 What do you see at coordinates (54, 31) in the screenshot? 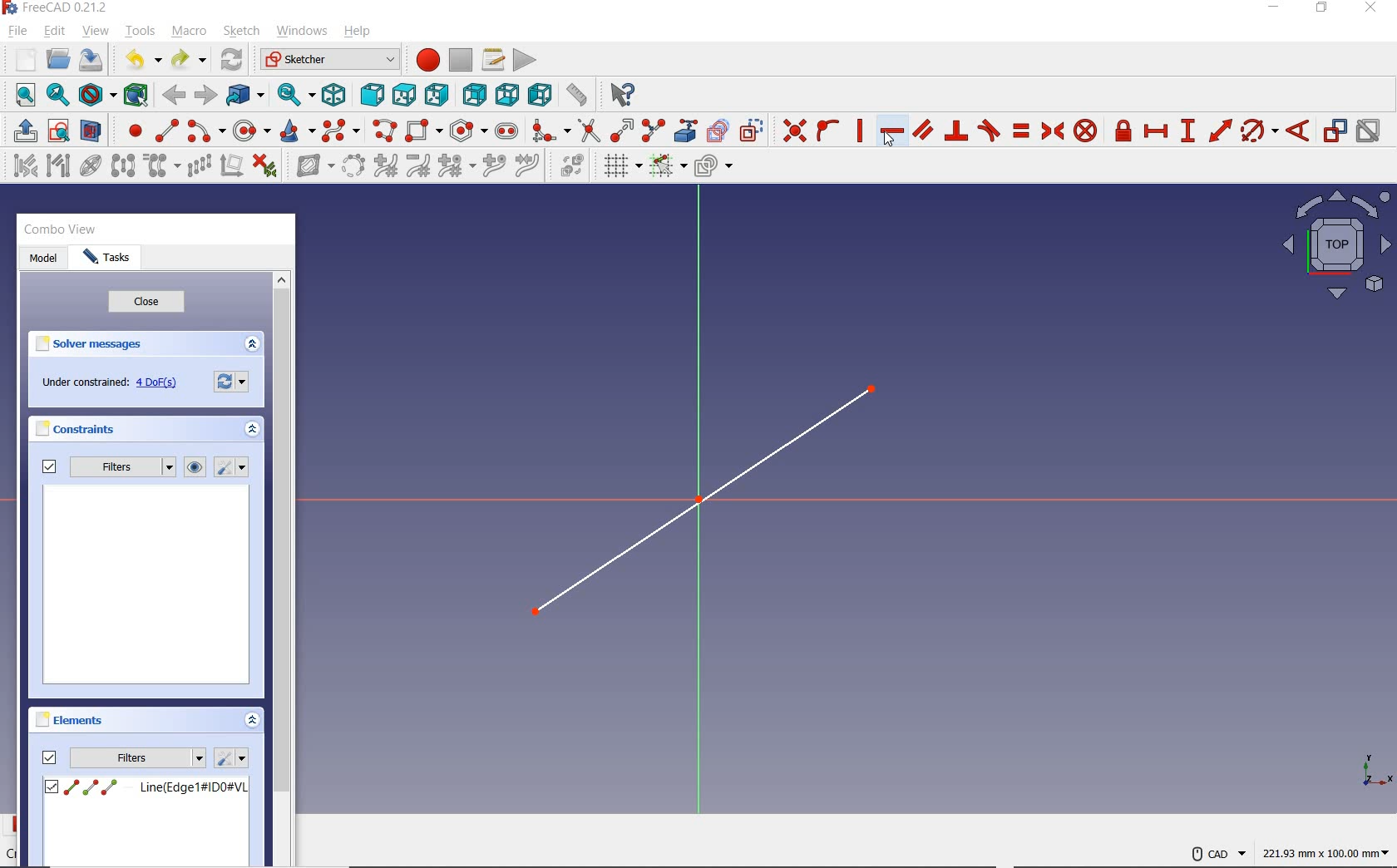
I see `EDIT` at bounding box center [54, 31].